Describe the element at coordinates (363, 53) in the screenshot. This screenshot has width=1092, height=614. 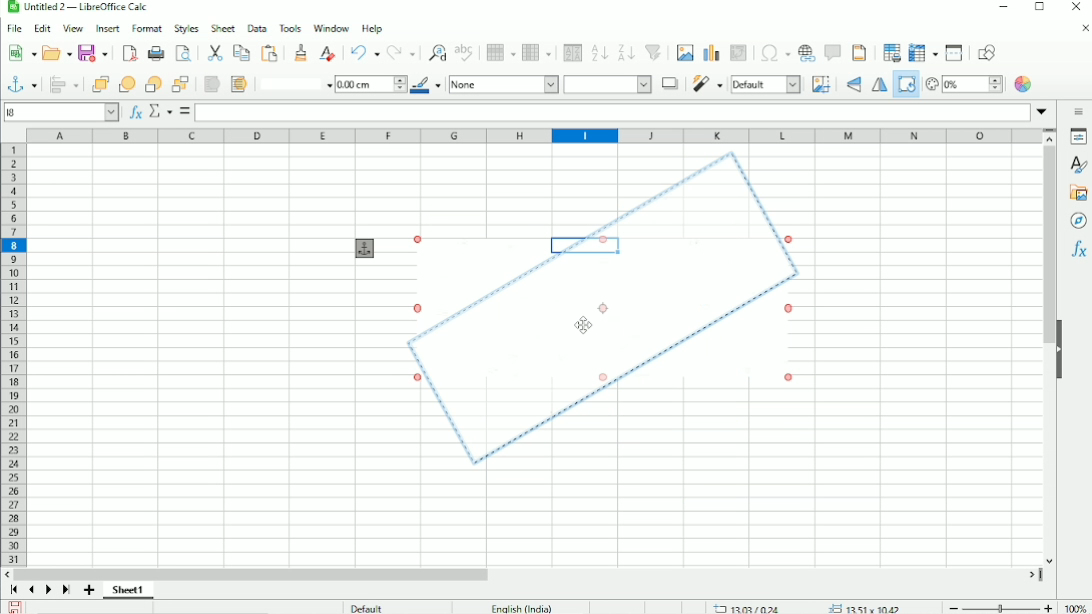
I see `Undo` at that location.